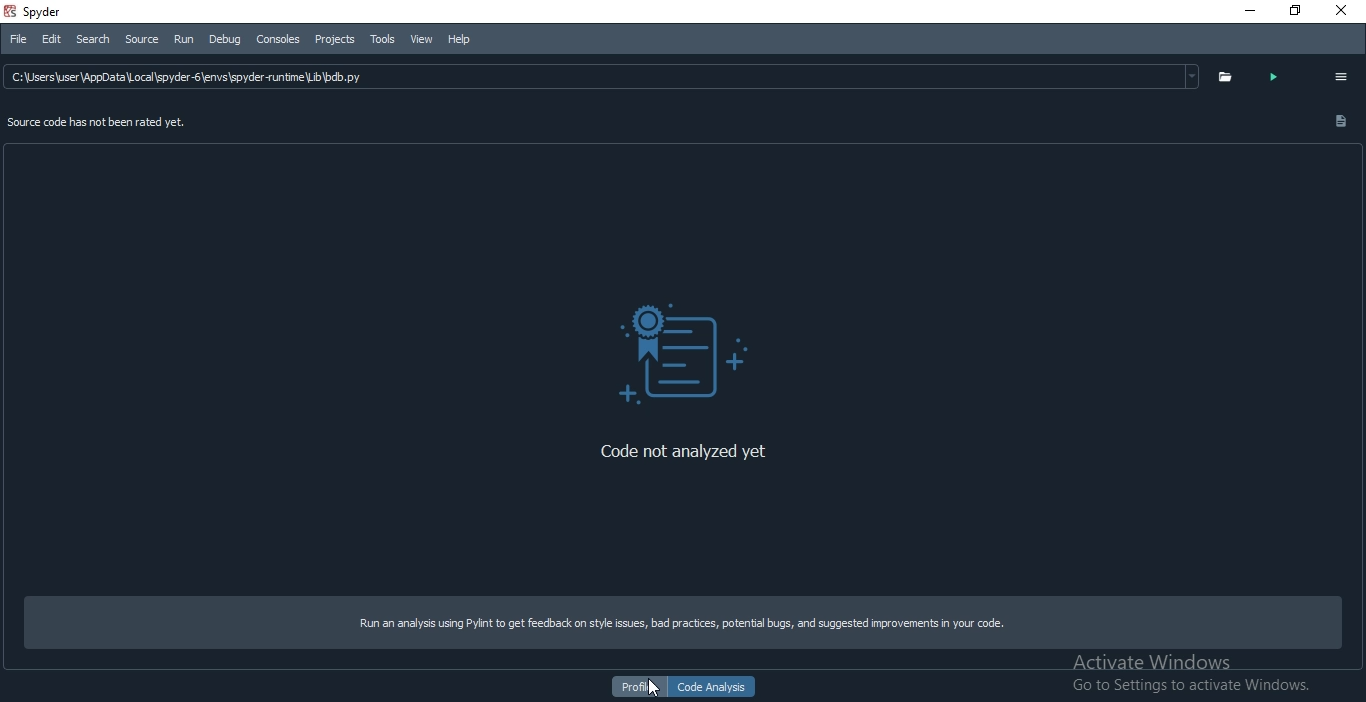  Describe the element at coordinates (466, 36) in the screenshot. I see `Help` at that location.